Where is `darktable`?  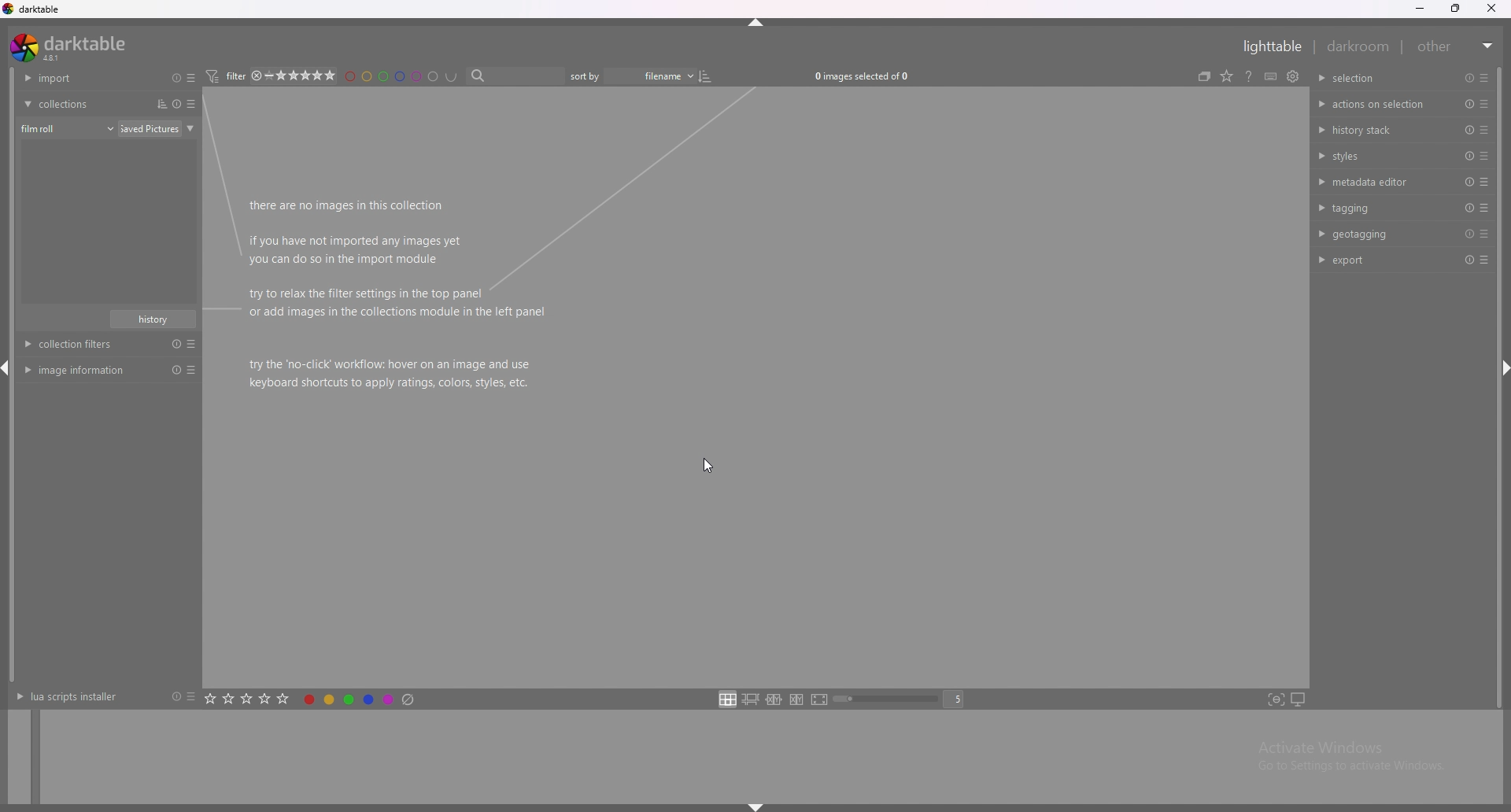 darktable is located at coordinates (72, 47).